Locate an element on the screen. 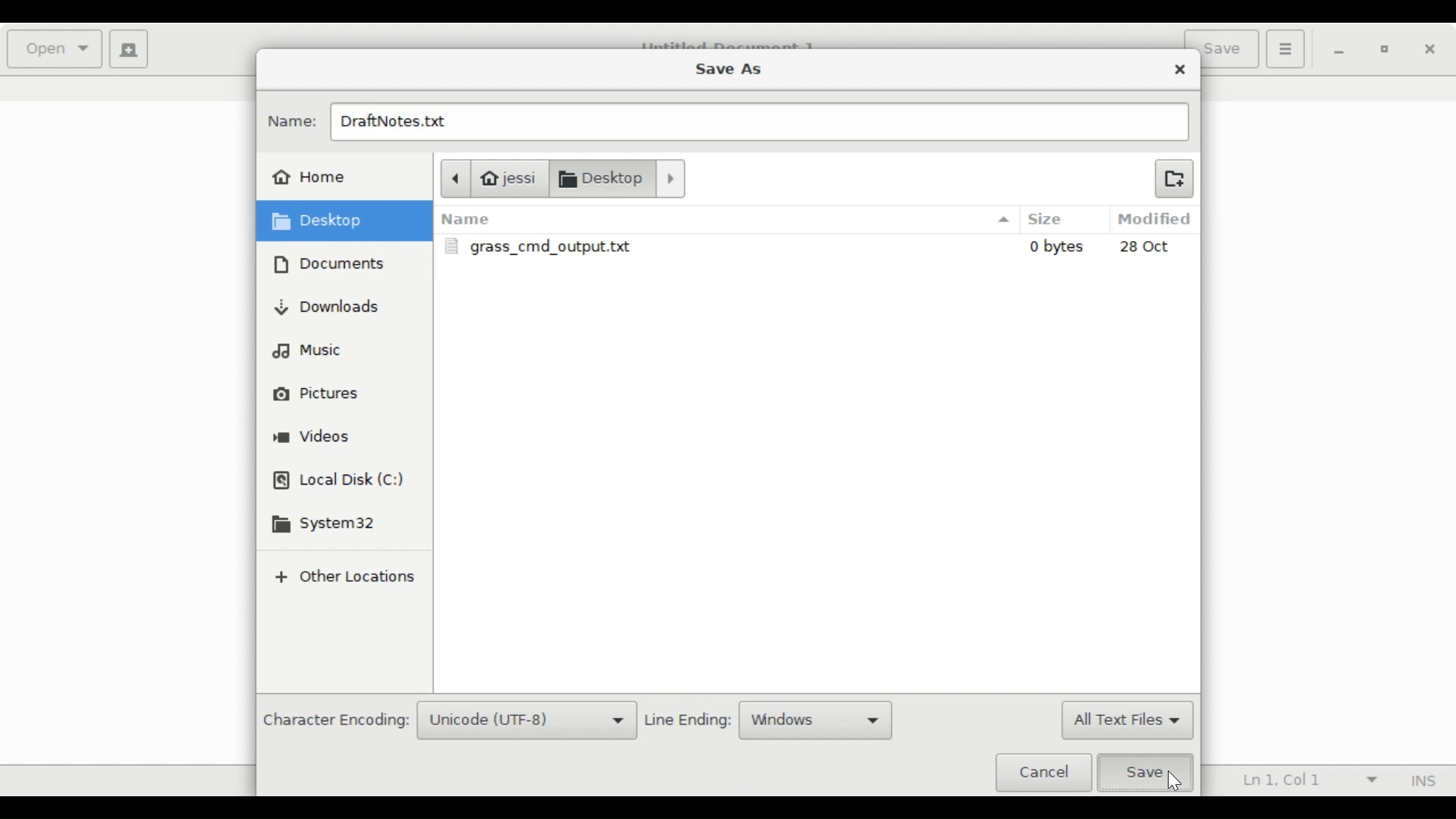 The image size is (1456, 819). Create a new document is located at coordinates (130, 49).